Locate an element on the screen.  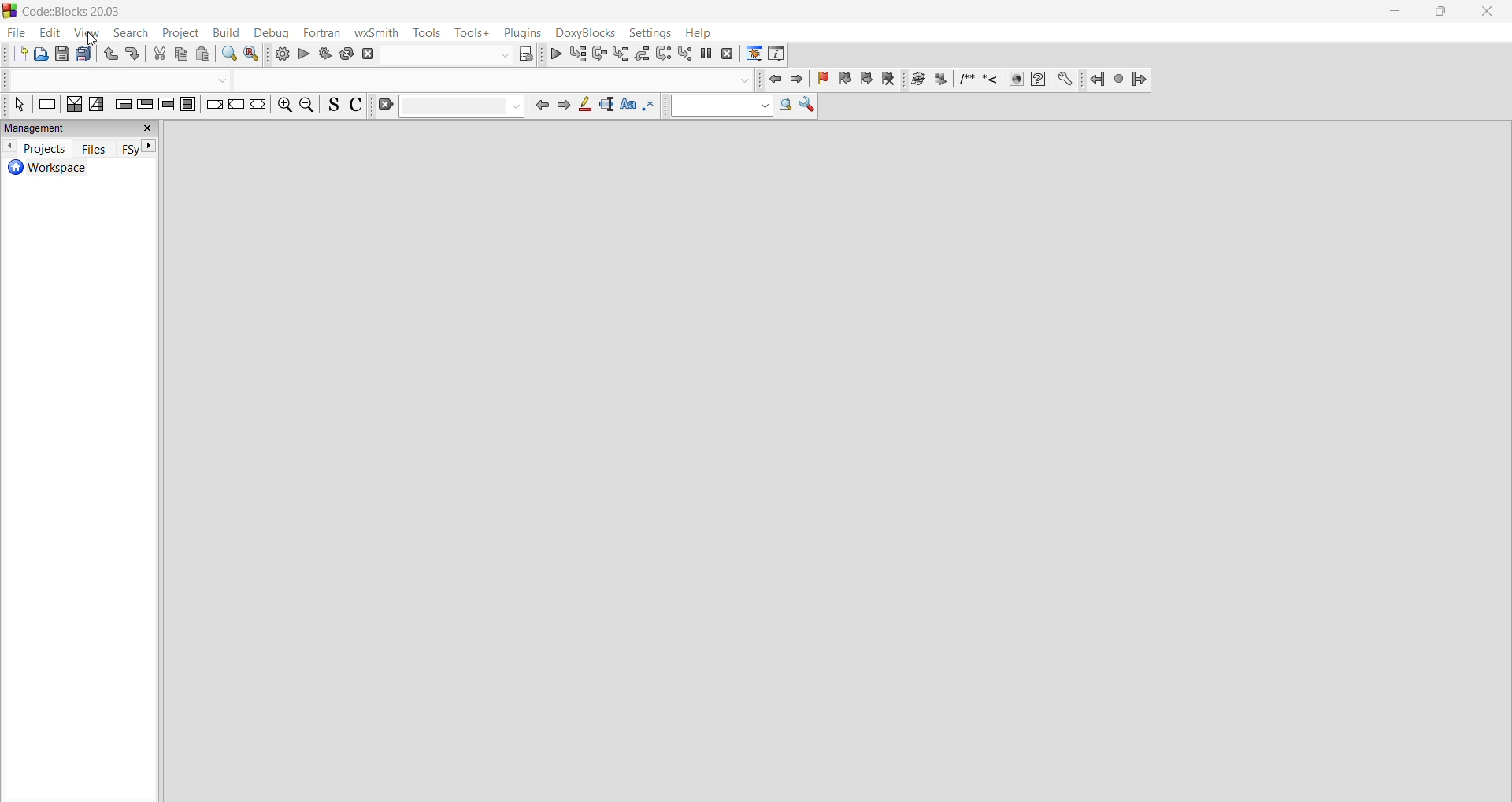
exit conditional loop is located at coordinates (146, 105).